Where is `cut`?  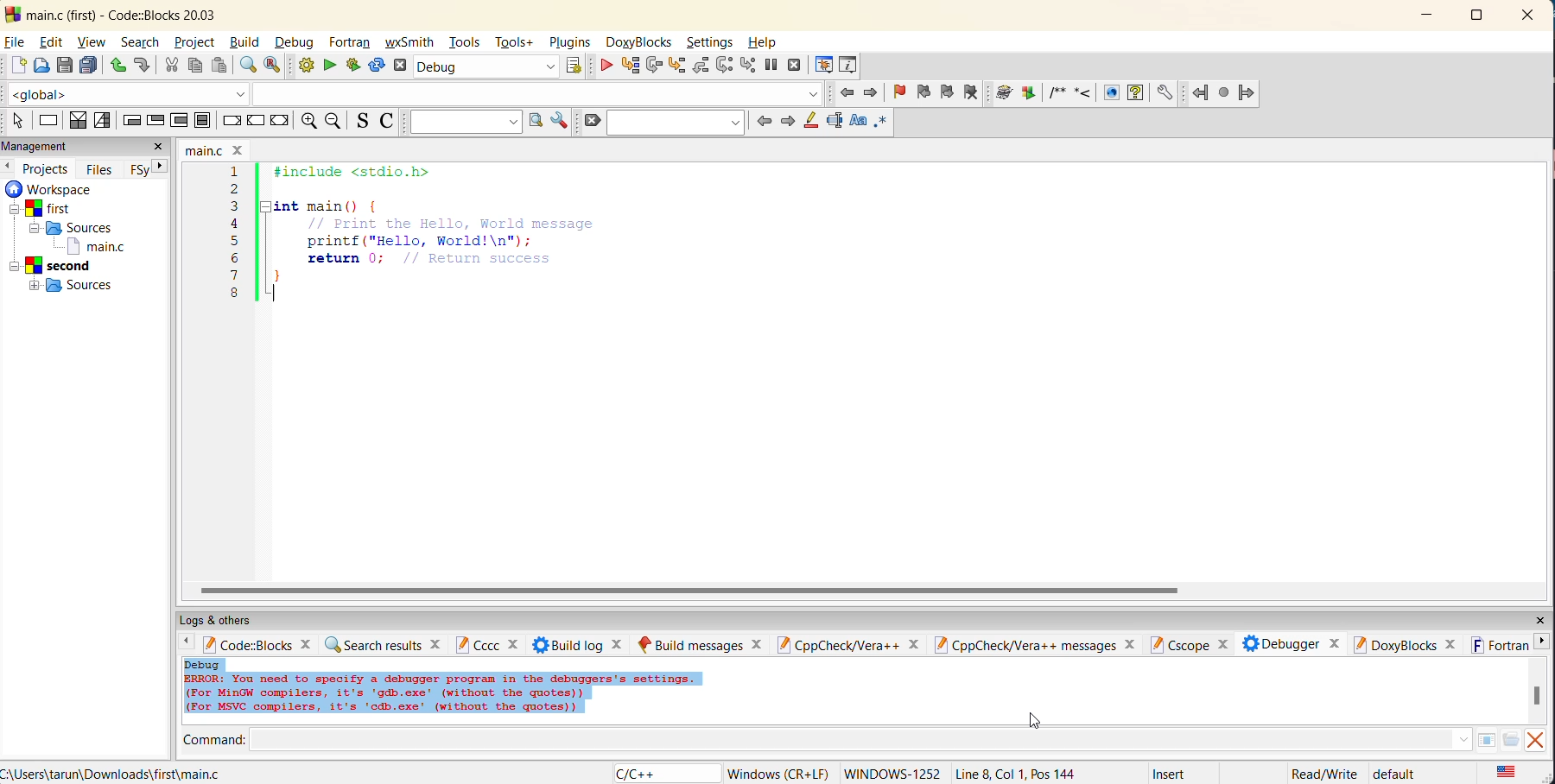
cut is located at coordinates (168, 66).